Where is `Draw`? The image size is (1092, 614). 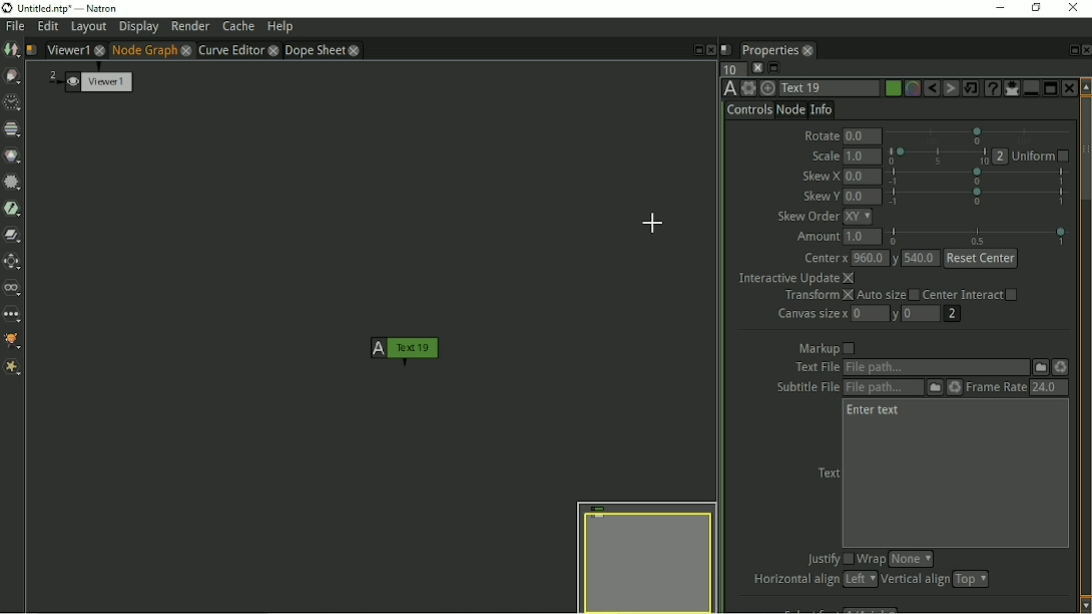
Draw is located at coordinates (12, 76).